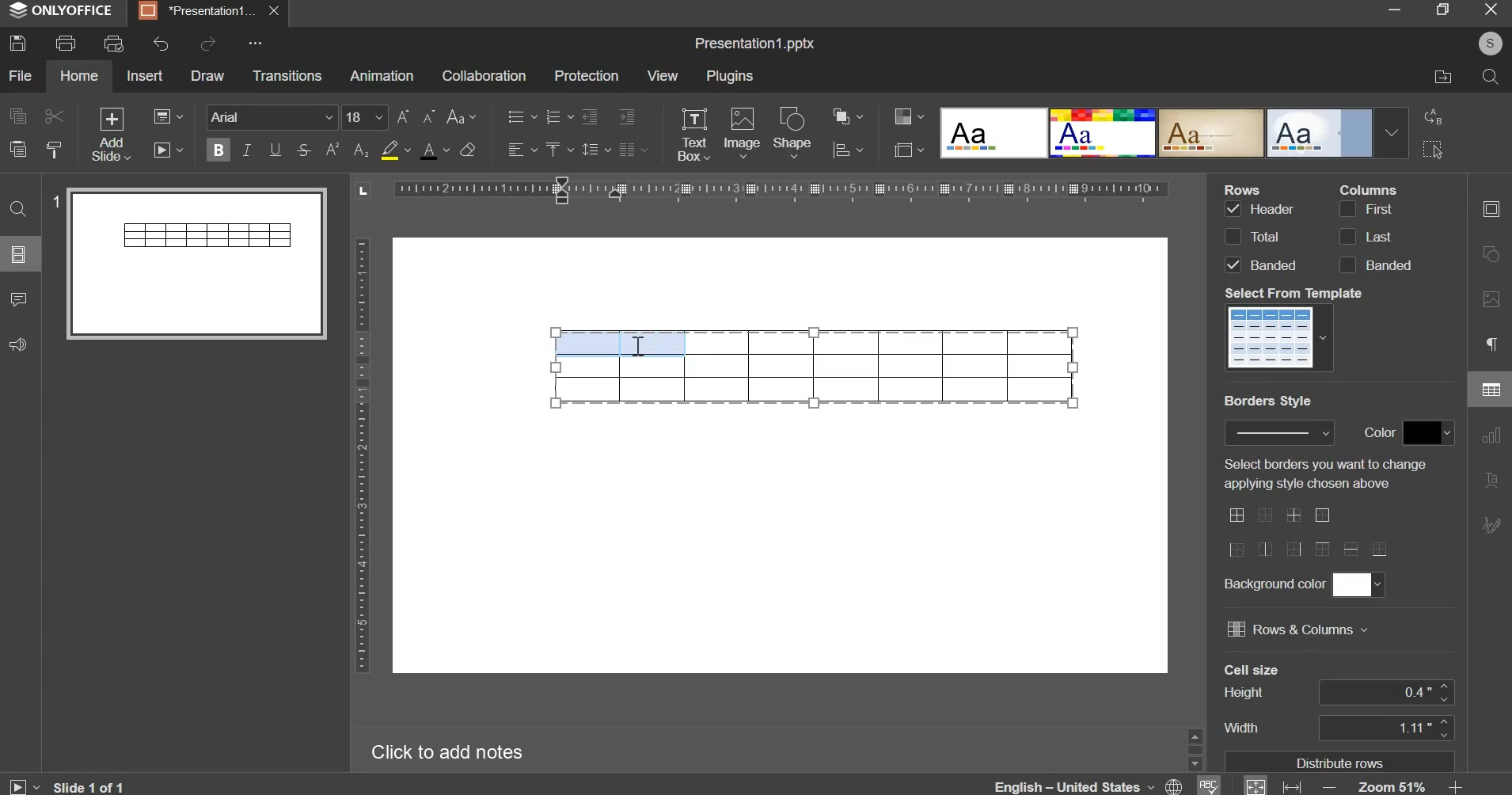  I want to click on image, so click(742, 131).